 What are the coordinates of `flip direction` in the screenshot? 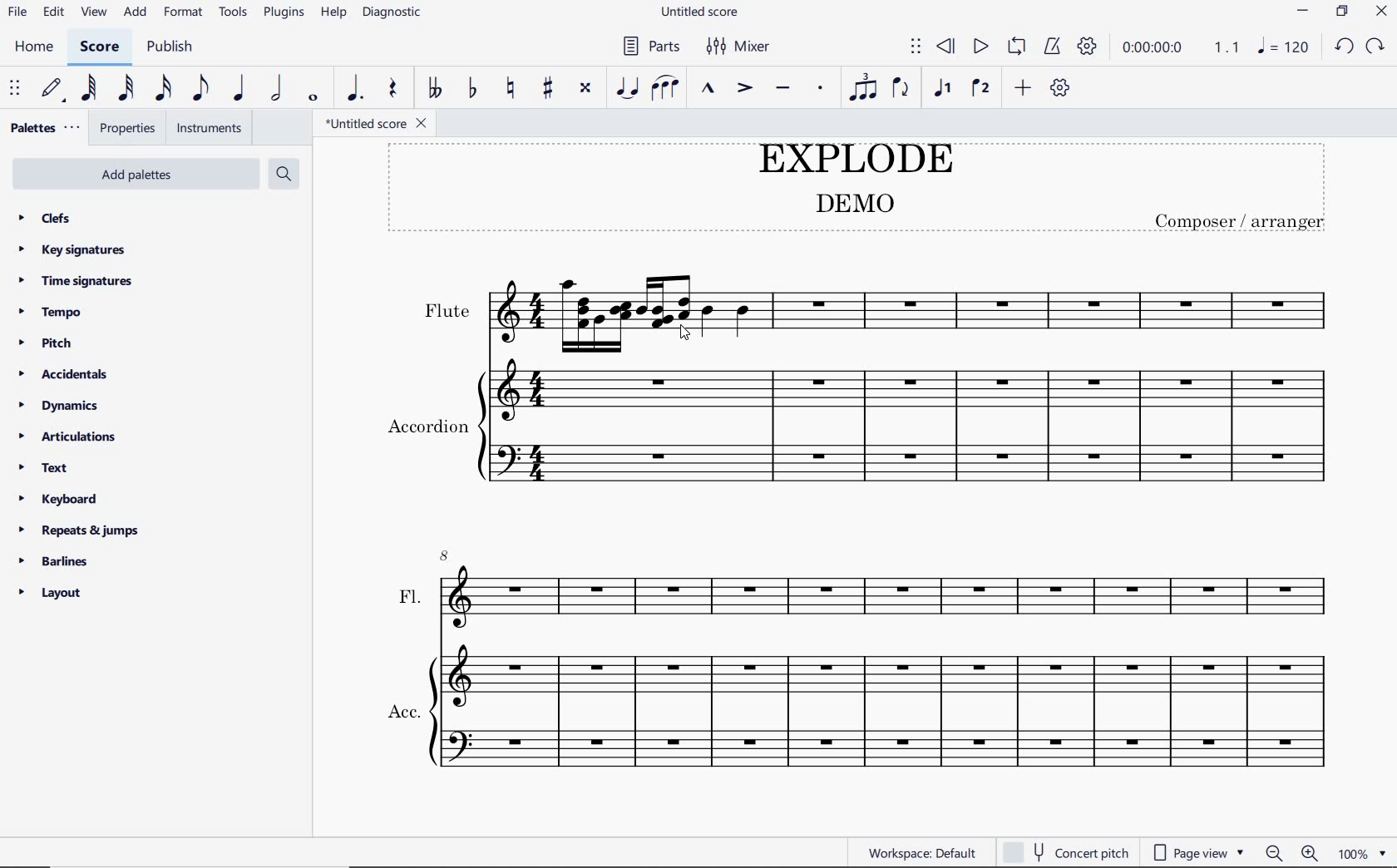 It's located at (901, 88).